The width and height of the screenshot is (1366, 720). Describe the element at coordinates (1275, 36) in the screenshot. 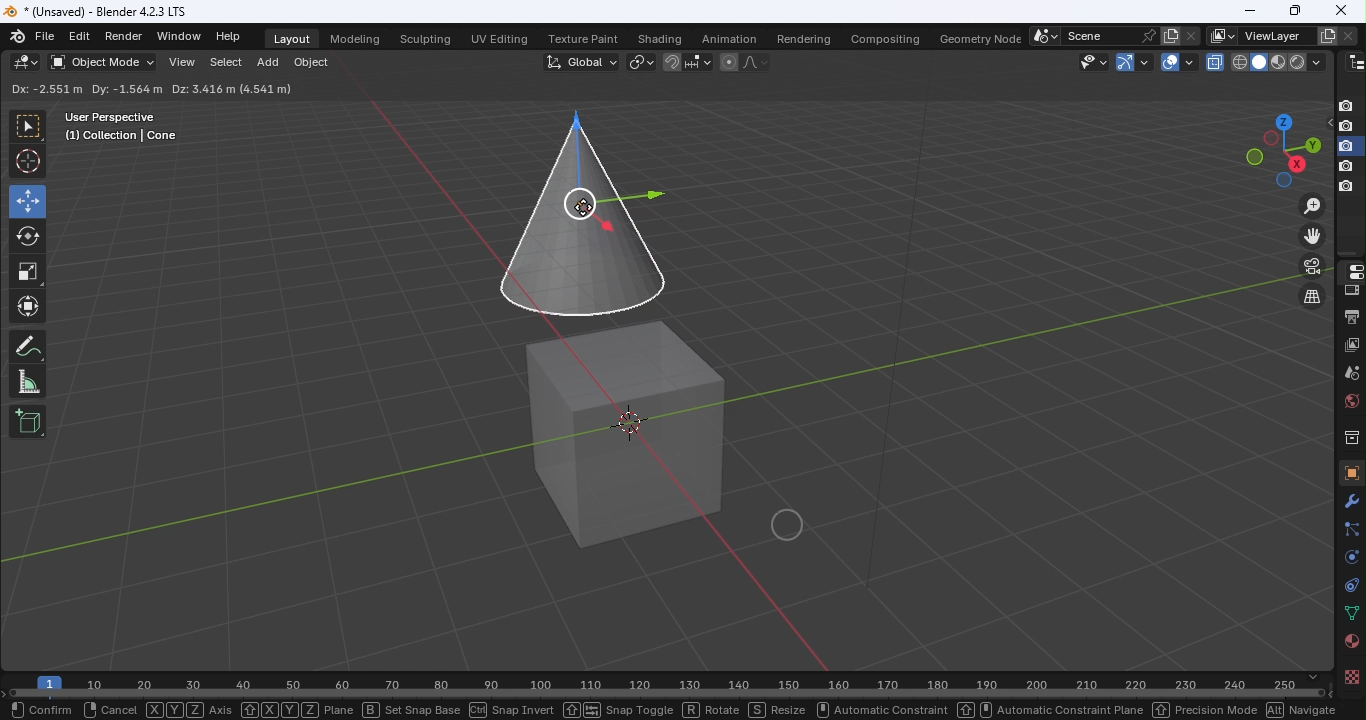

I see `Name` at that location.